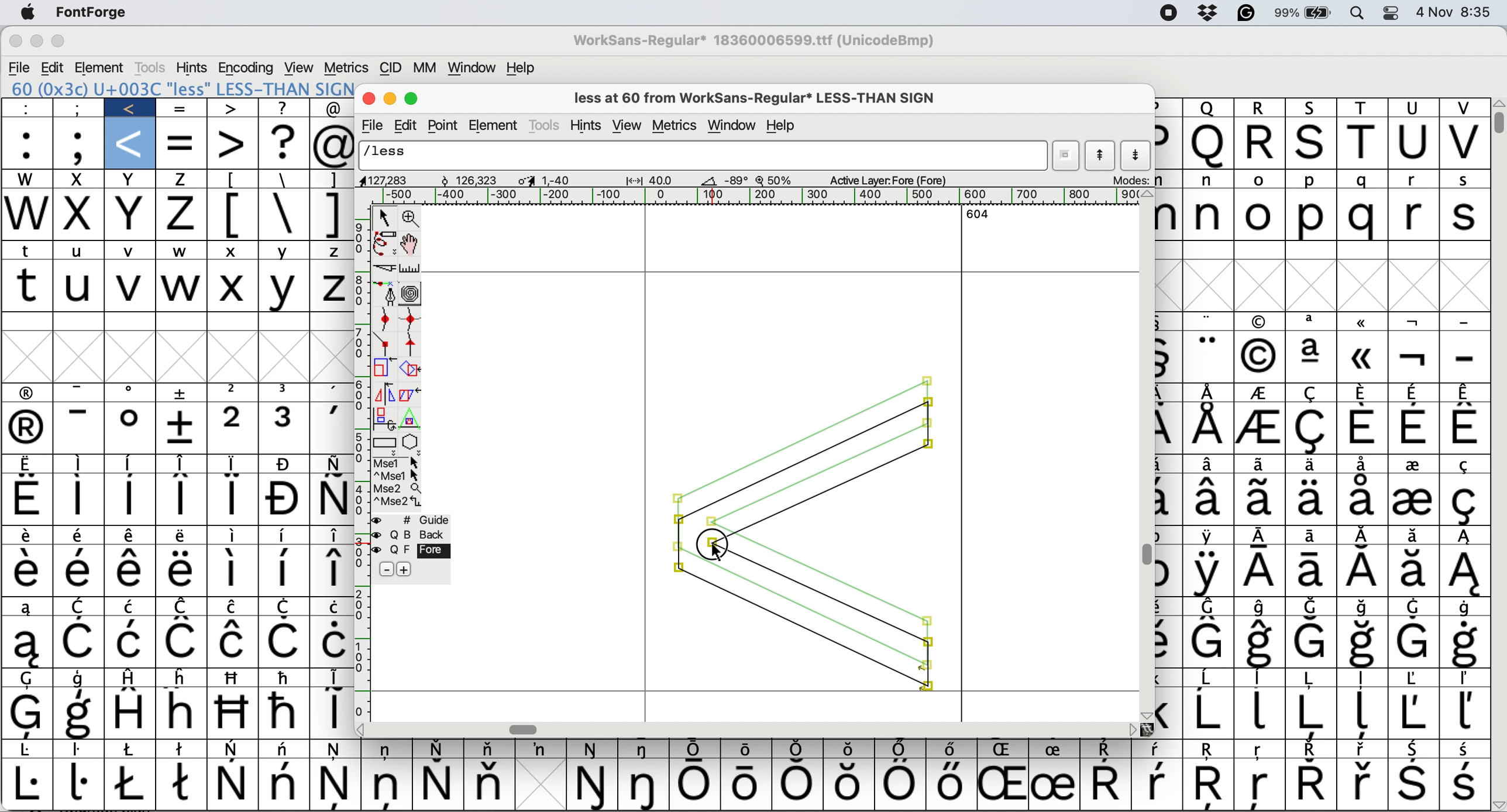  Describe the element at coordinates (132, 143) in the screenshot. I see `<` at that location.